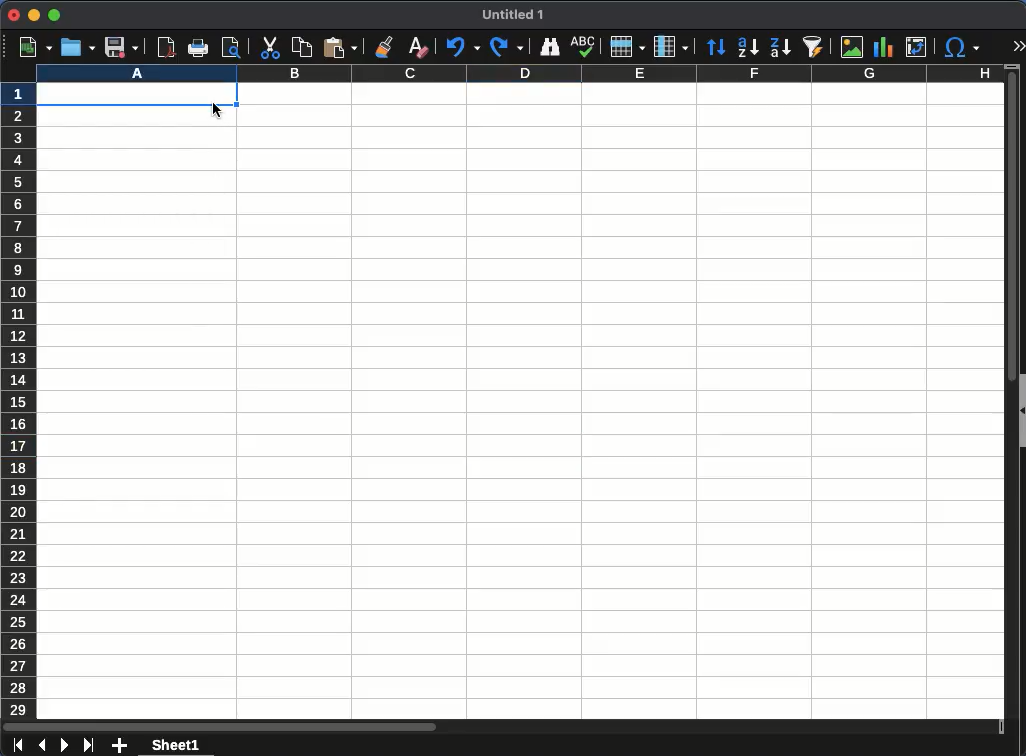  What do you see at coordinates (883, 47) in the screenshot?
I see `chart` at bounding box center [883, 47].